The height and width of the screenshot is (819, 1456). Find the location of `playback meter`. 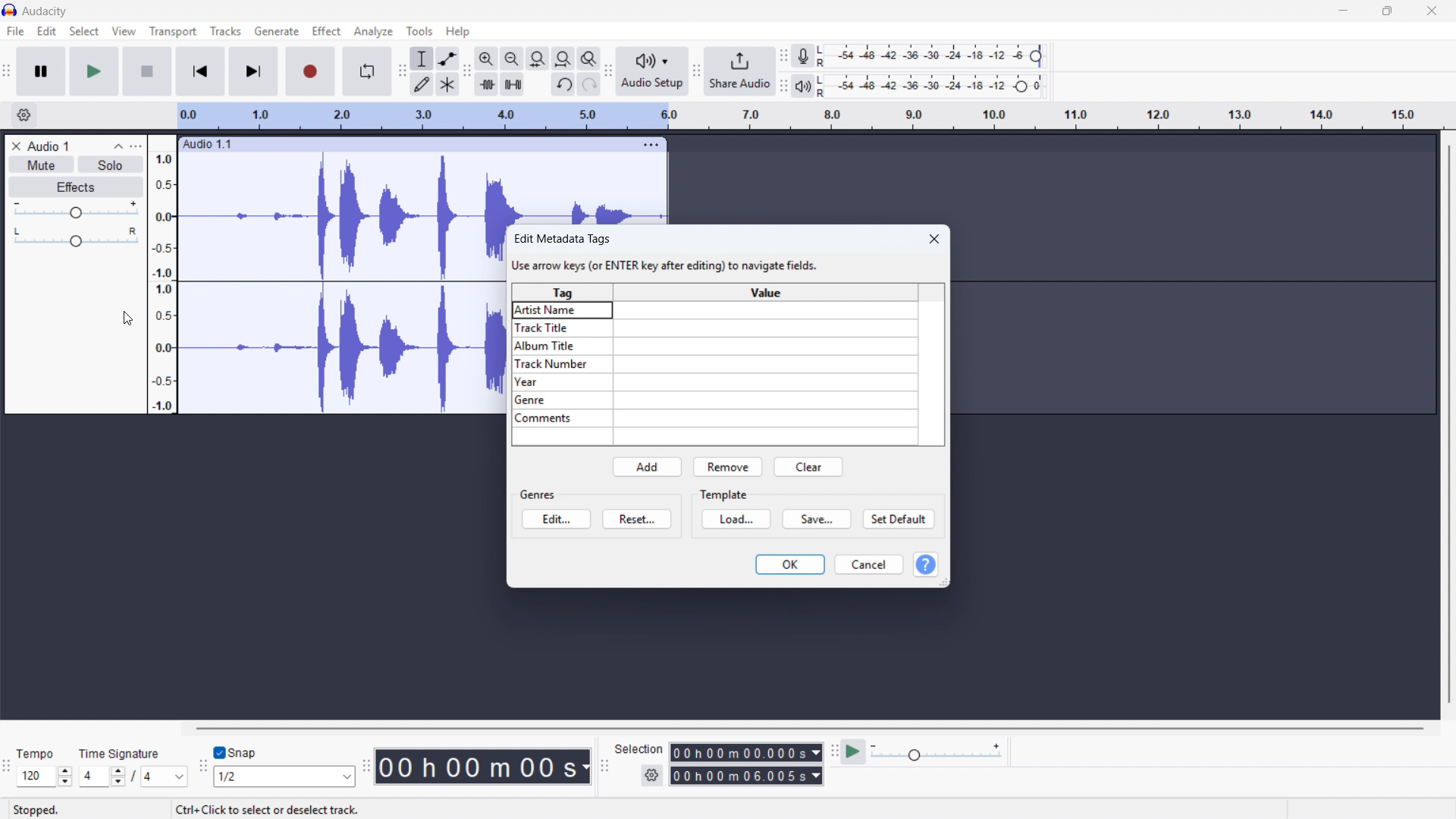

playback meter is located at coordinates (803, 86).